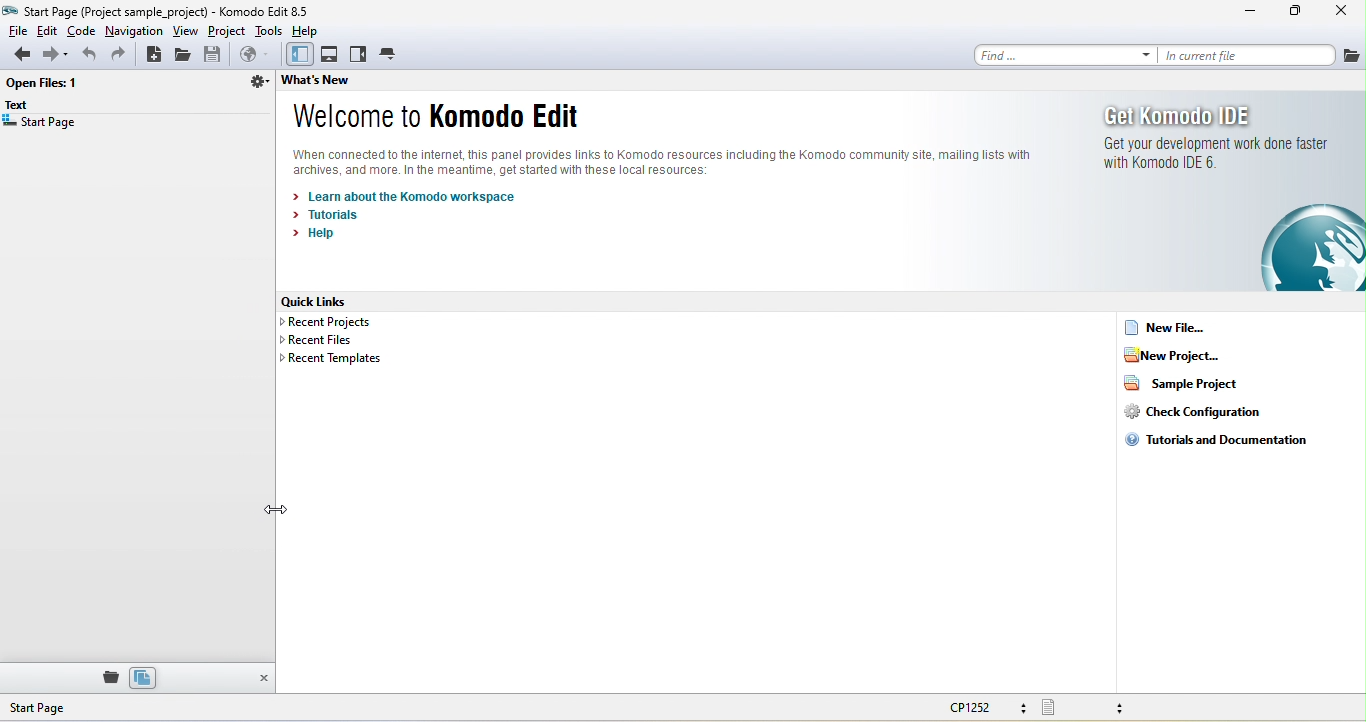 The width and height of the screenshot is (1366, 722). What do you see at coordinates (87, 55) in the screenshot?
I see `undo` at bounding box center [87, 55].